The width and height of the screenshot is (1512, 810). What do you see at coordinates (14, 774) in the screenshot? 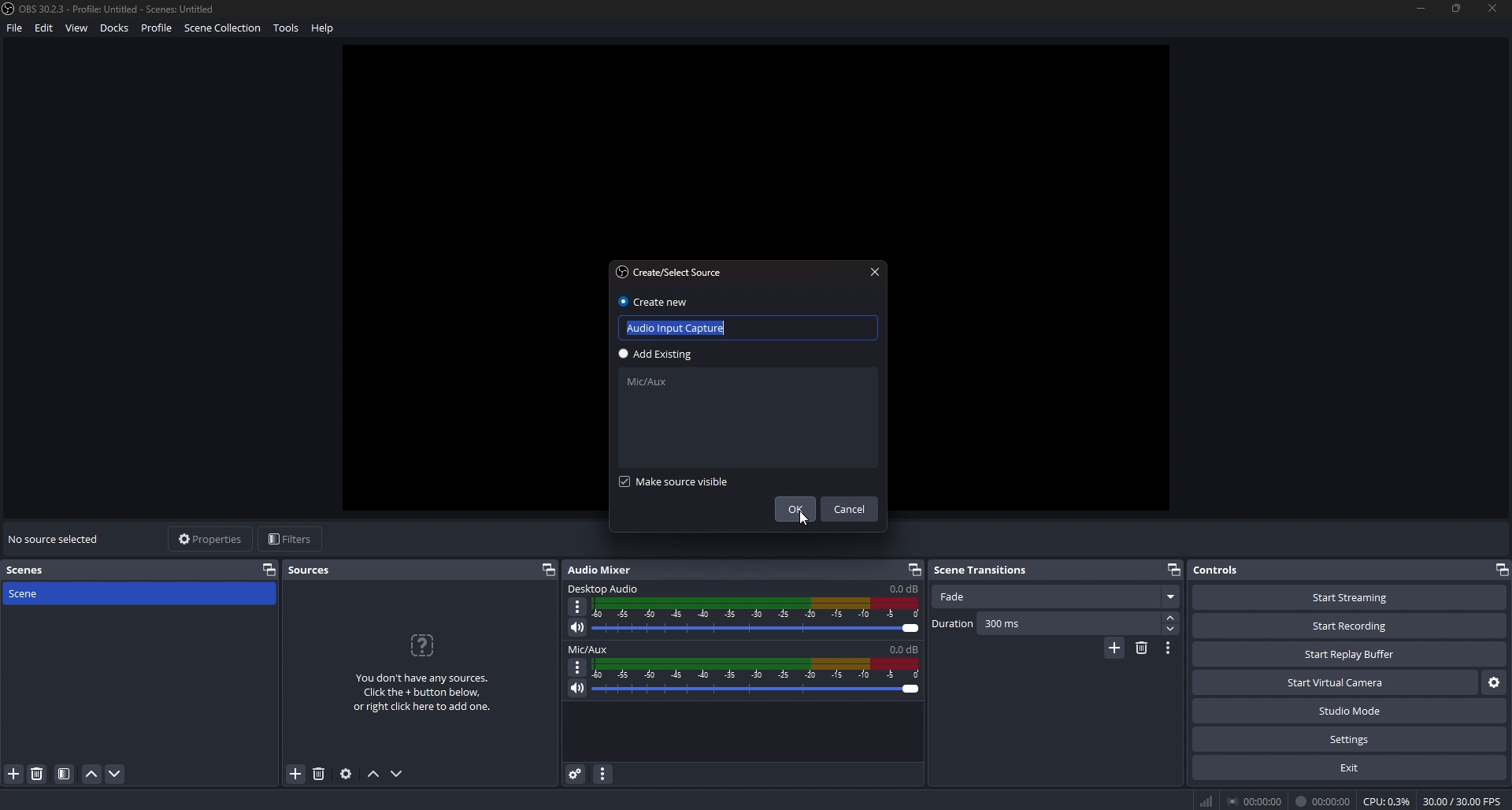
I see `add scene` at bounding box center [14, 774].